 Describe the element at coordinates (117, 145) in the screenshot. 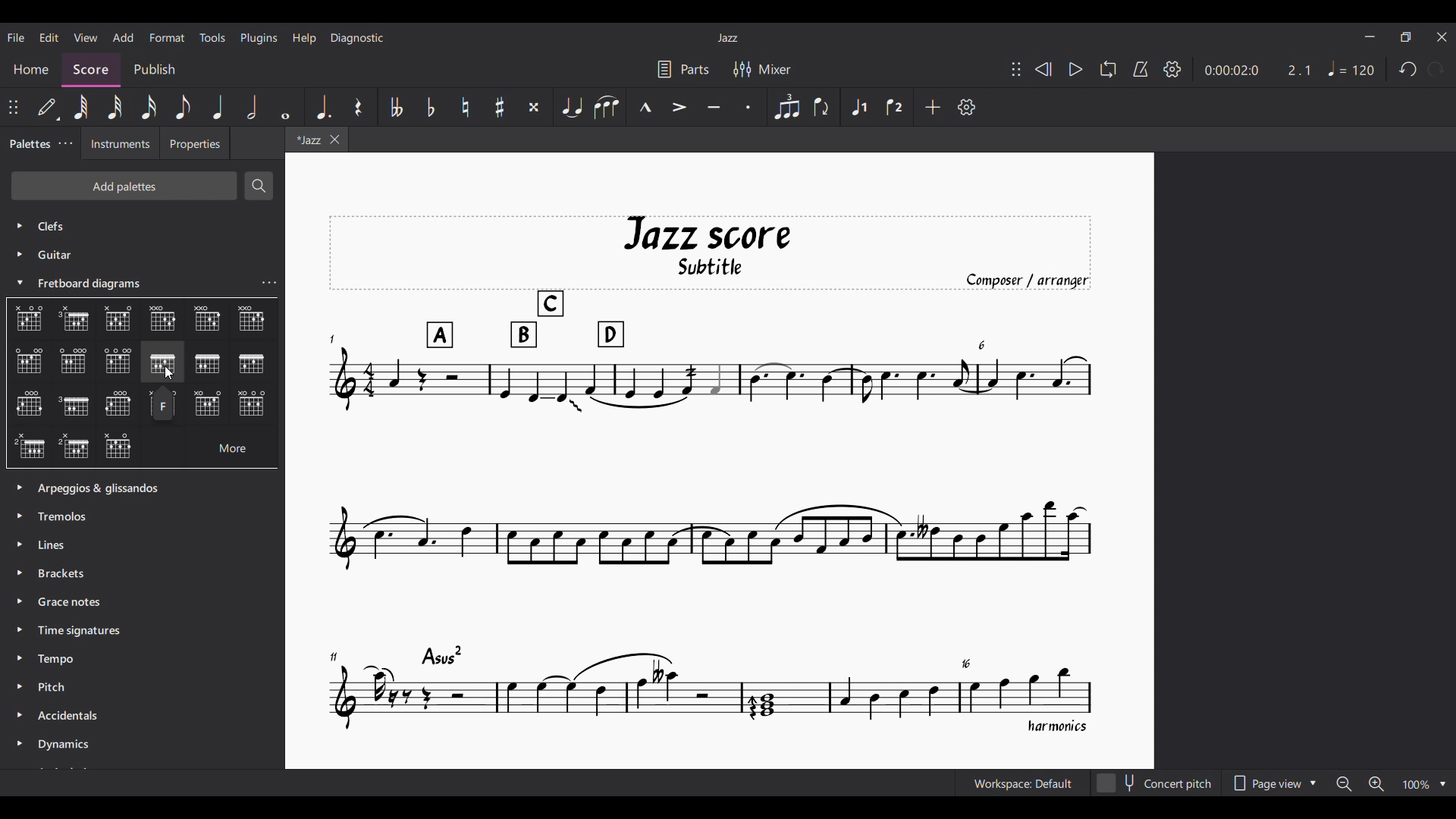

I see `Instruments` at that location.